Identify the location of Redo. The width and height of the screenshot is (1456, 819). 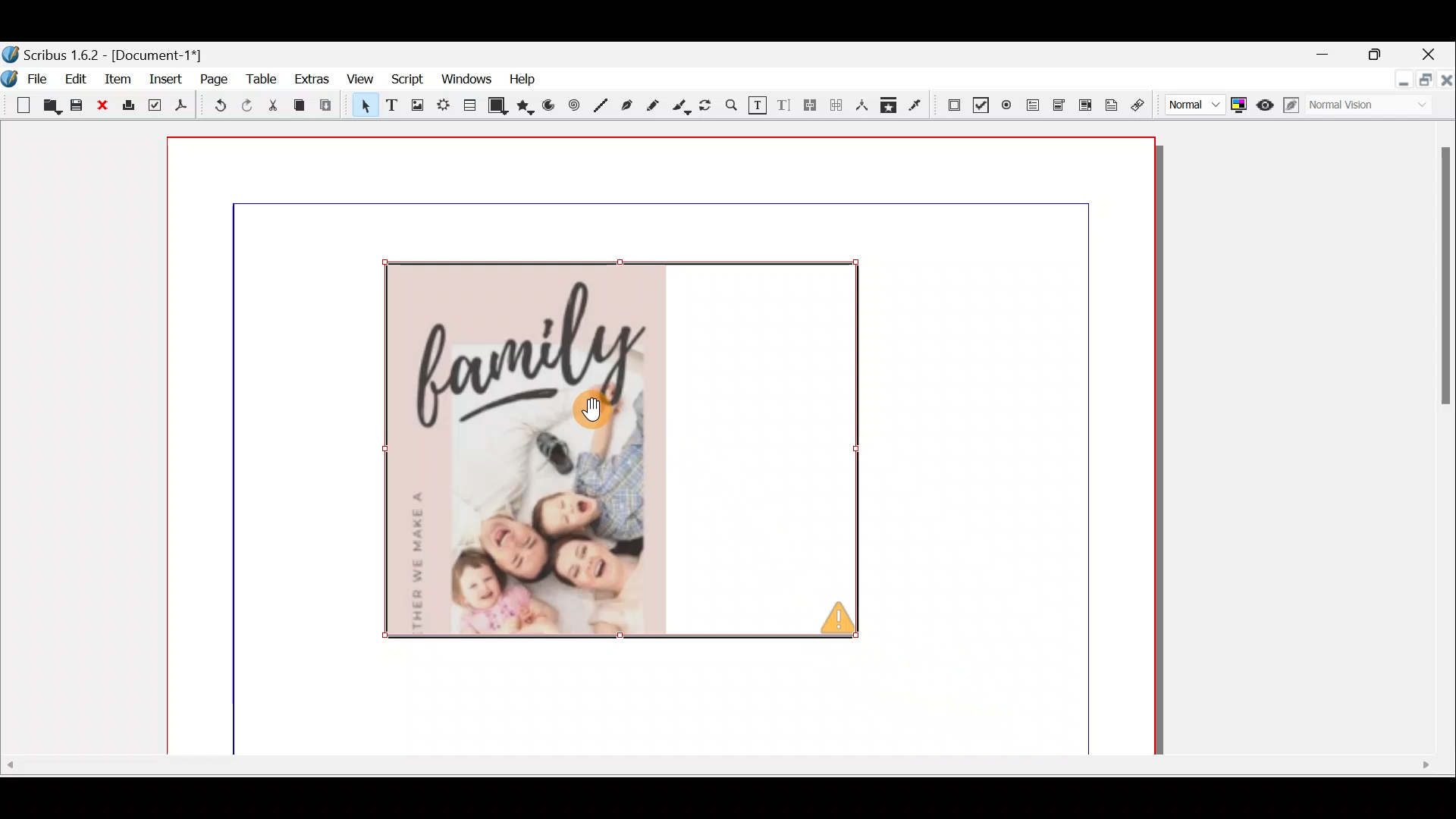
(244, 106).